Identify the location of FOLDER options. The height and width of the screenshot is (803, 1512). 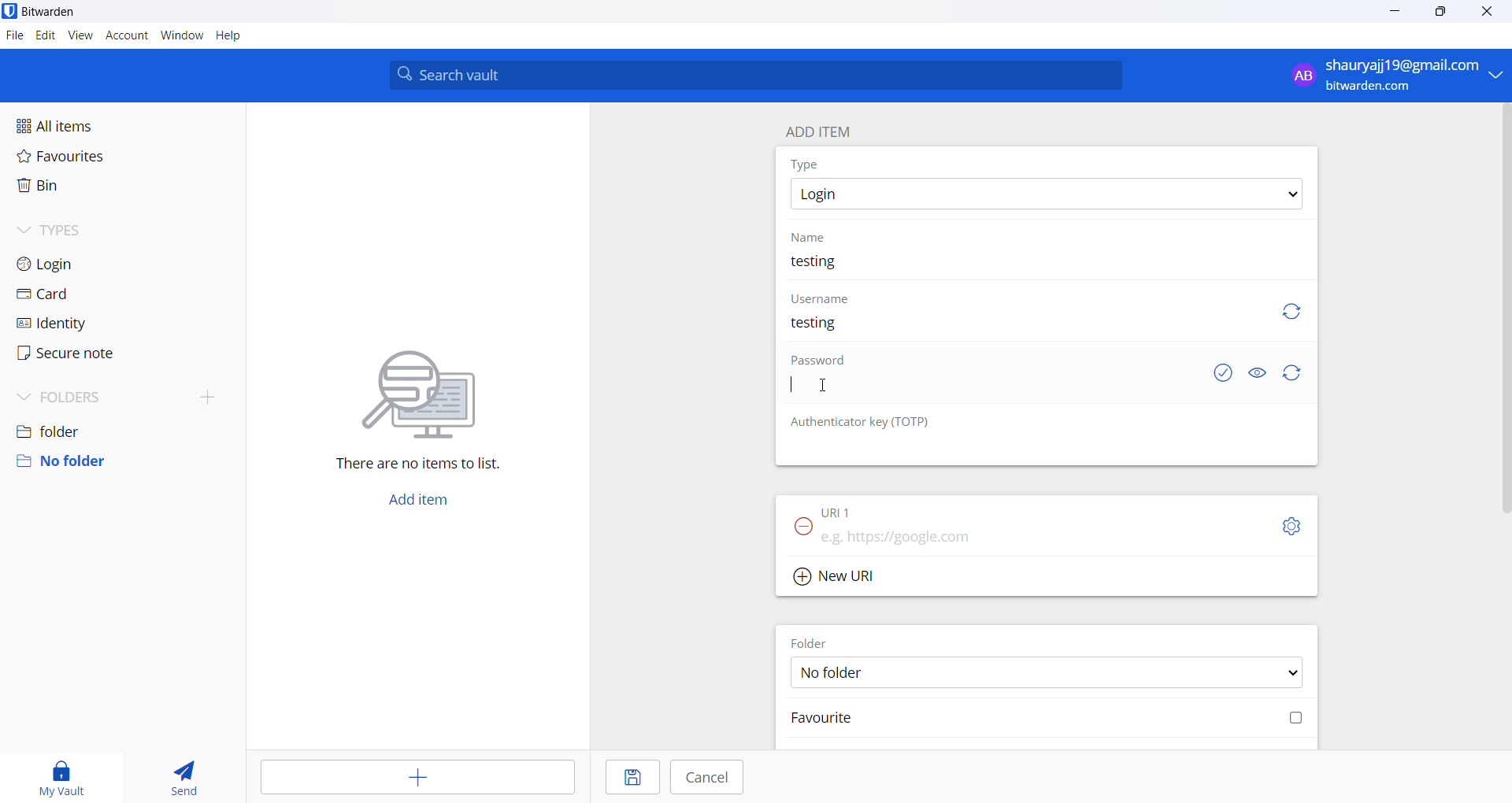
(1048, 673).